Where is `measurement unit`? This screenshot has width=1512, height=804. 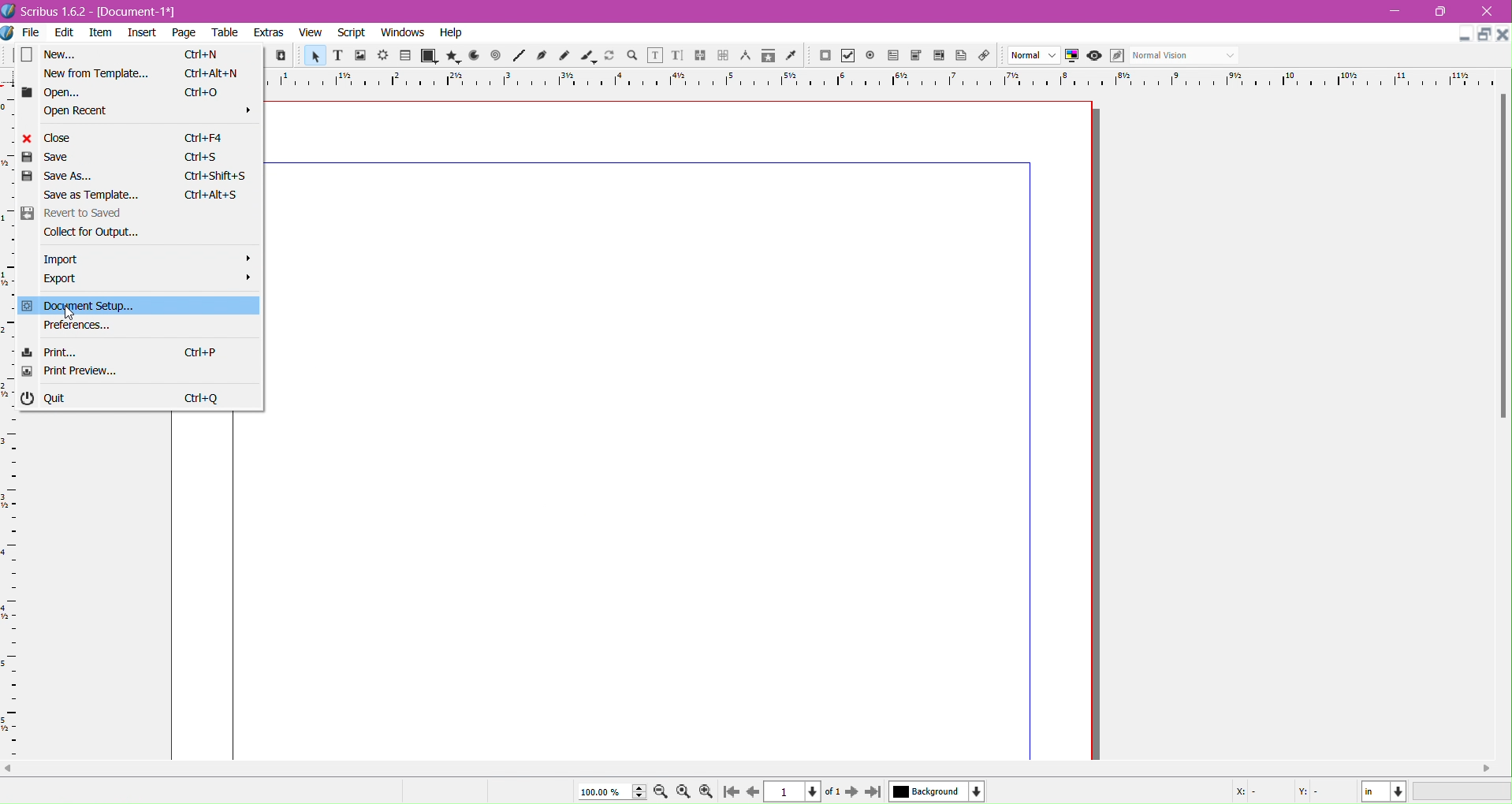 measurement unit is located at coordinates (1384, 791).